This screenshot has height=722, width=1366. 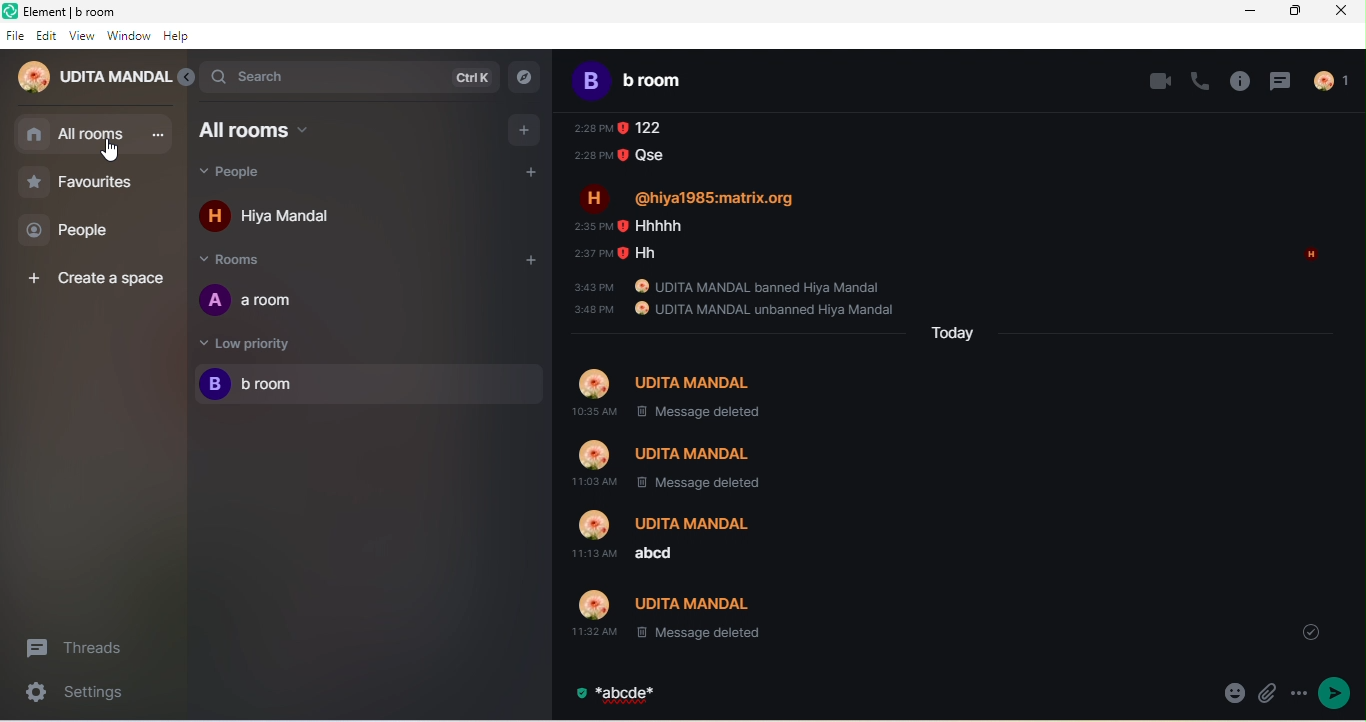 What do you see at coordinates (904, 384) in the screenshot?
I see `older message` at bounding box center [904, 384].